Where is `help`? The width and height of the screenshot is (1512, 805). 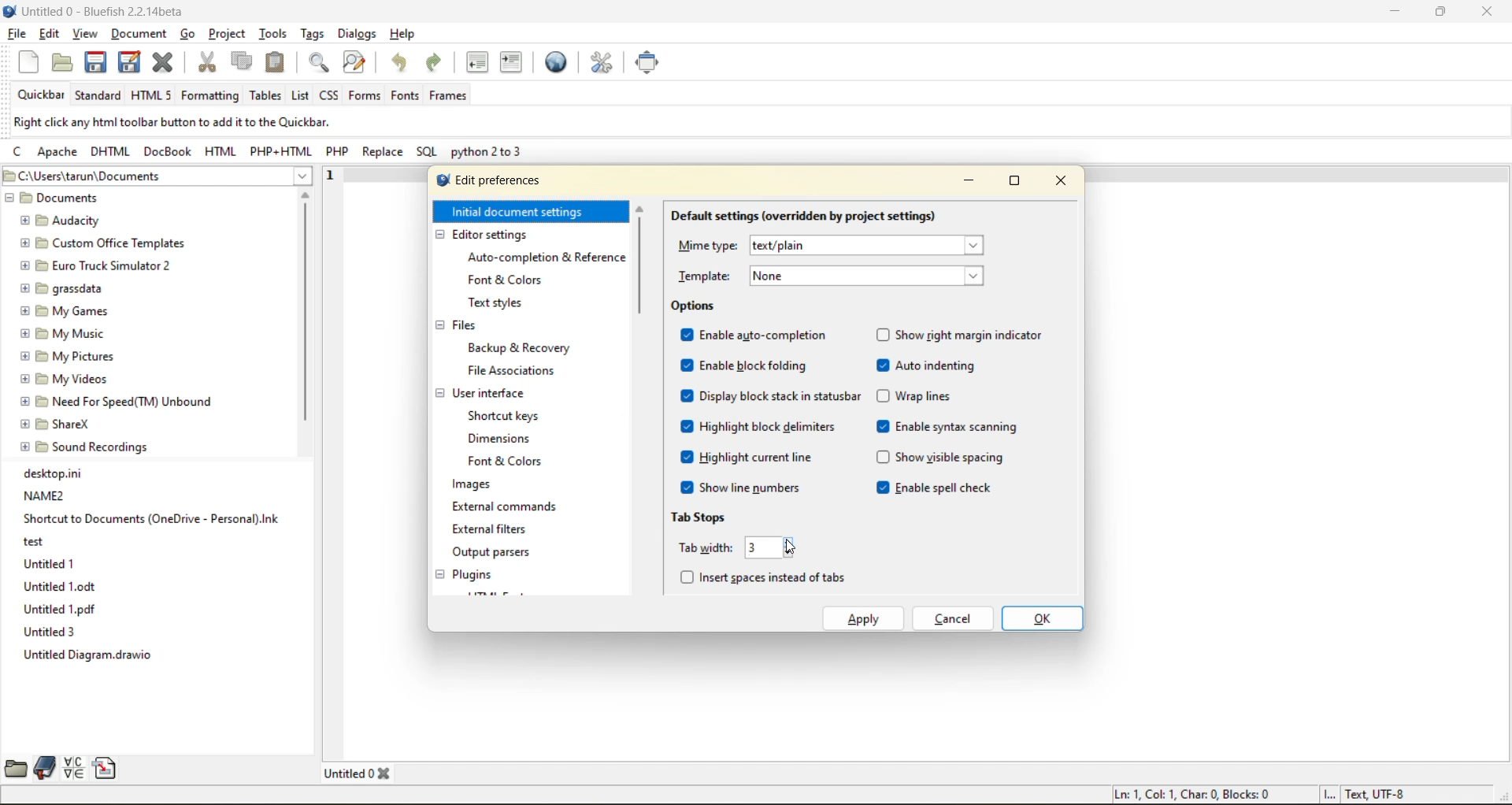 help is located at coordinates (402, 33).